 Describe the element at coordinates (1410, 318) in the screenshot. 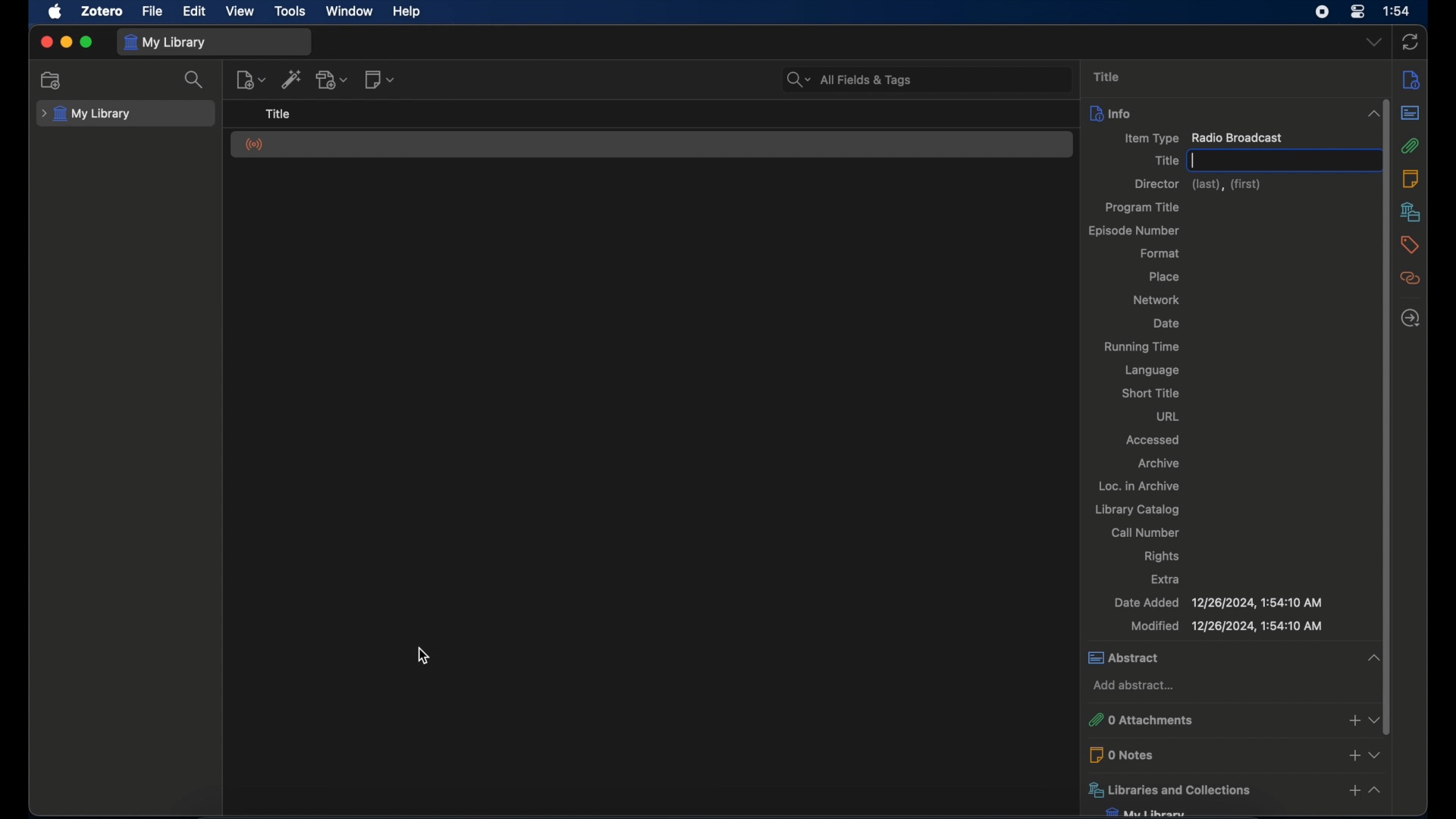

I see `locate` at that location.